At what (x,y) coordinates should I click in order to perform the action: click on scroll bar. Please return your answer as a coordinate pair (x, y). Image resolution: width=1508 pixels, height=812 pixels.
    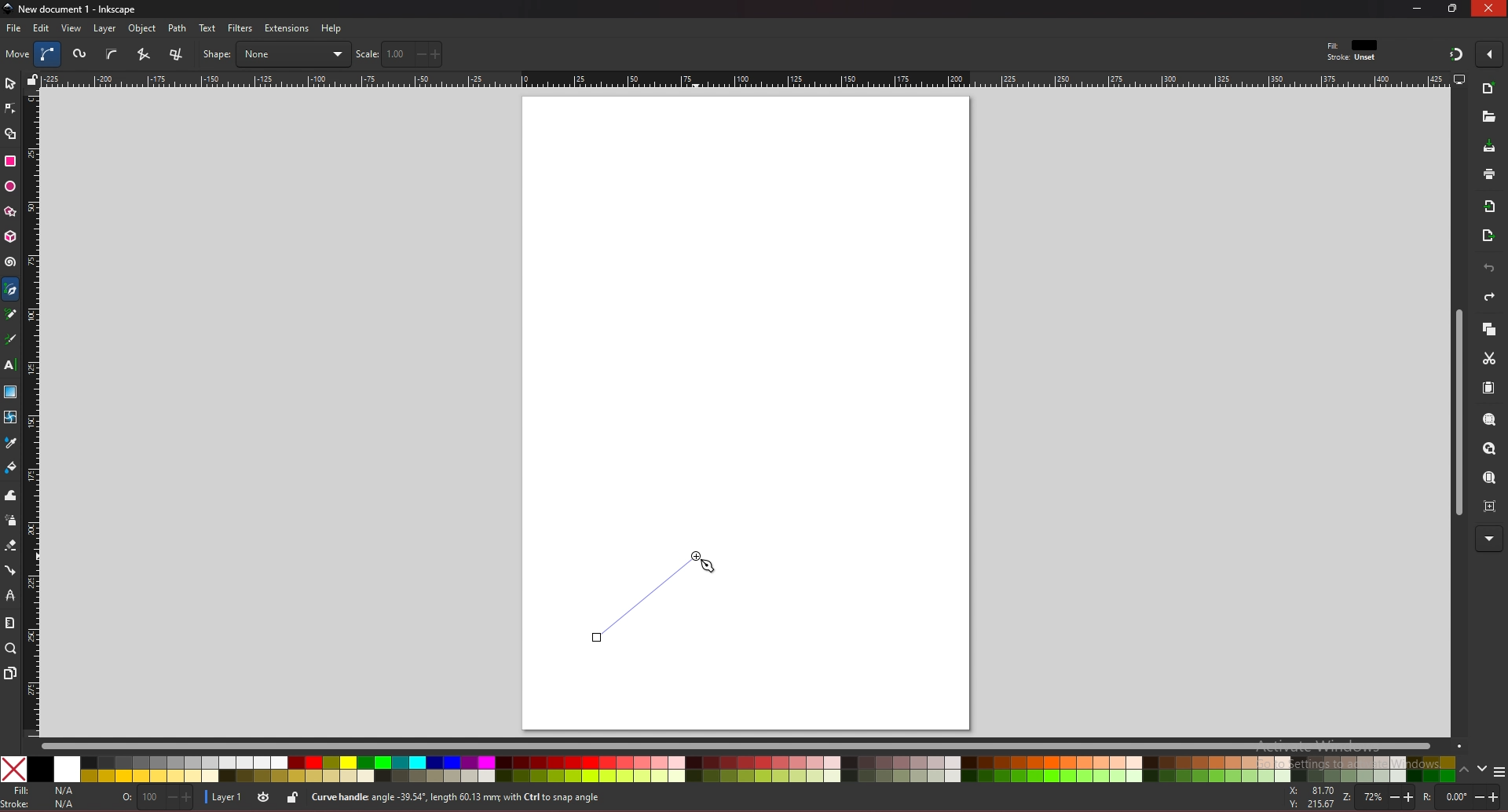
    Looking at the image, I should click on (751, 744).